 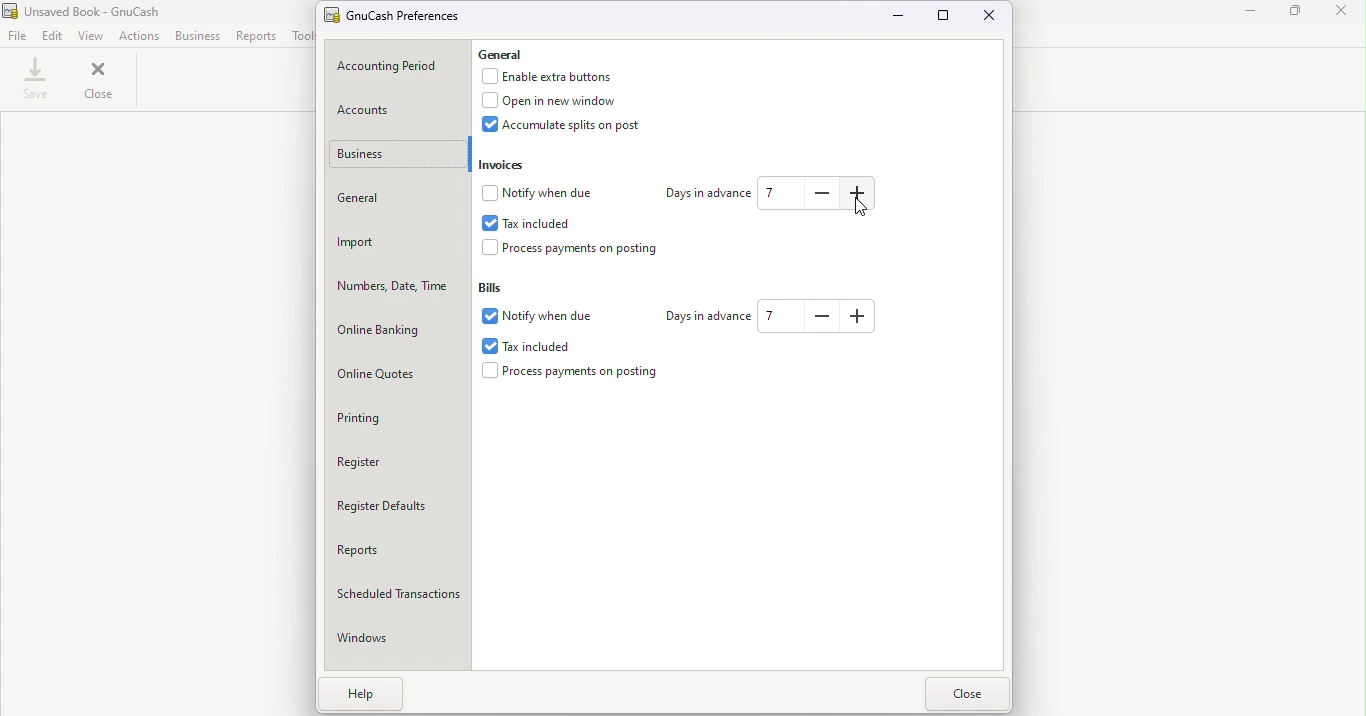 What do you see at coordinates (579, 128) in the screenshot?
I see `Accumulate splits on post` at bounding box center [579, 128].